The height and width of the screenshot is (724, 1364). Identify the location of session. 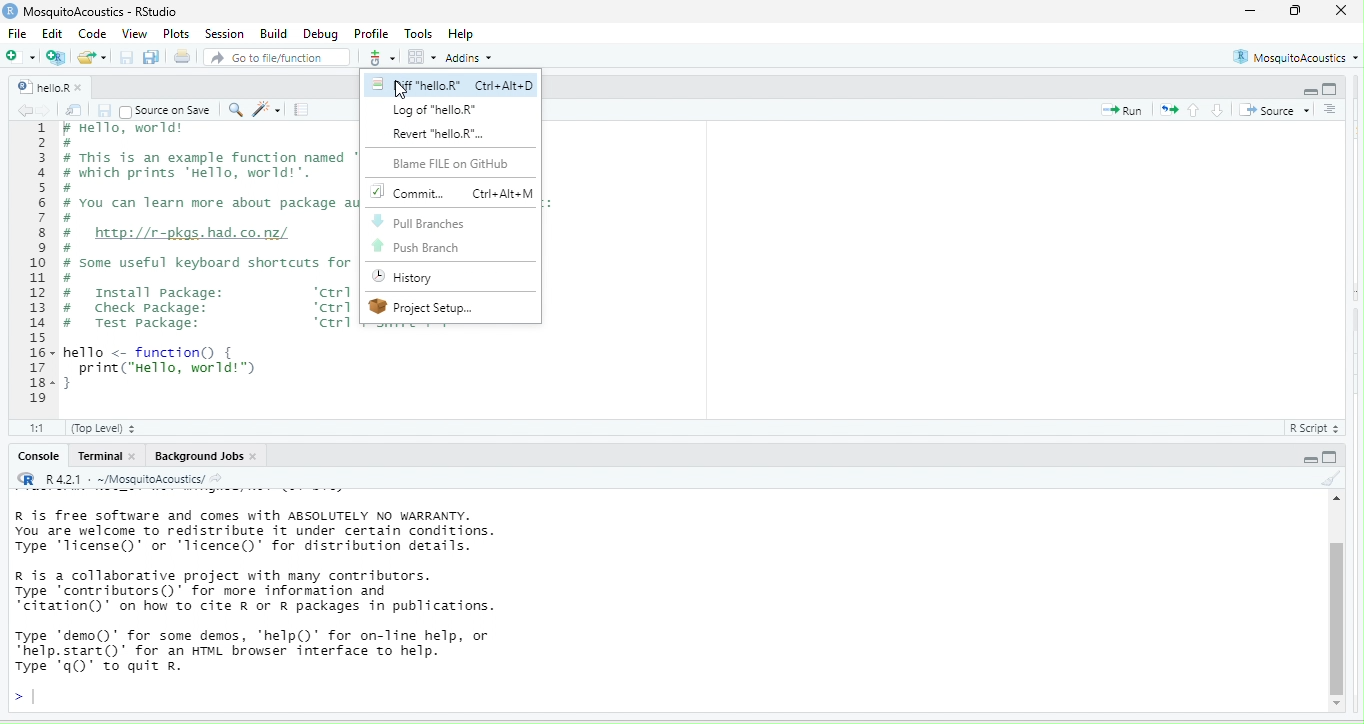
(225, 35).